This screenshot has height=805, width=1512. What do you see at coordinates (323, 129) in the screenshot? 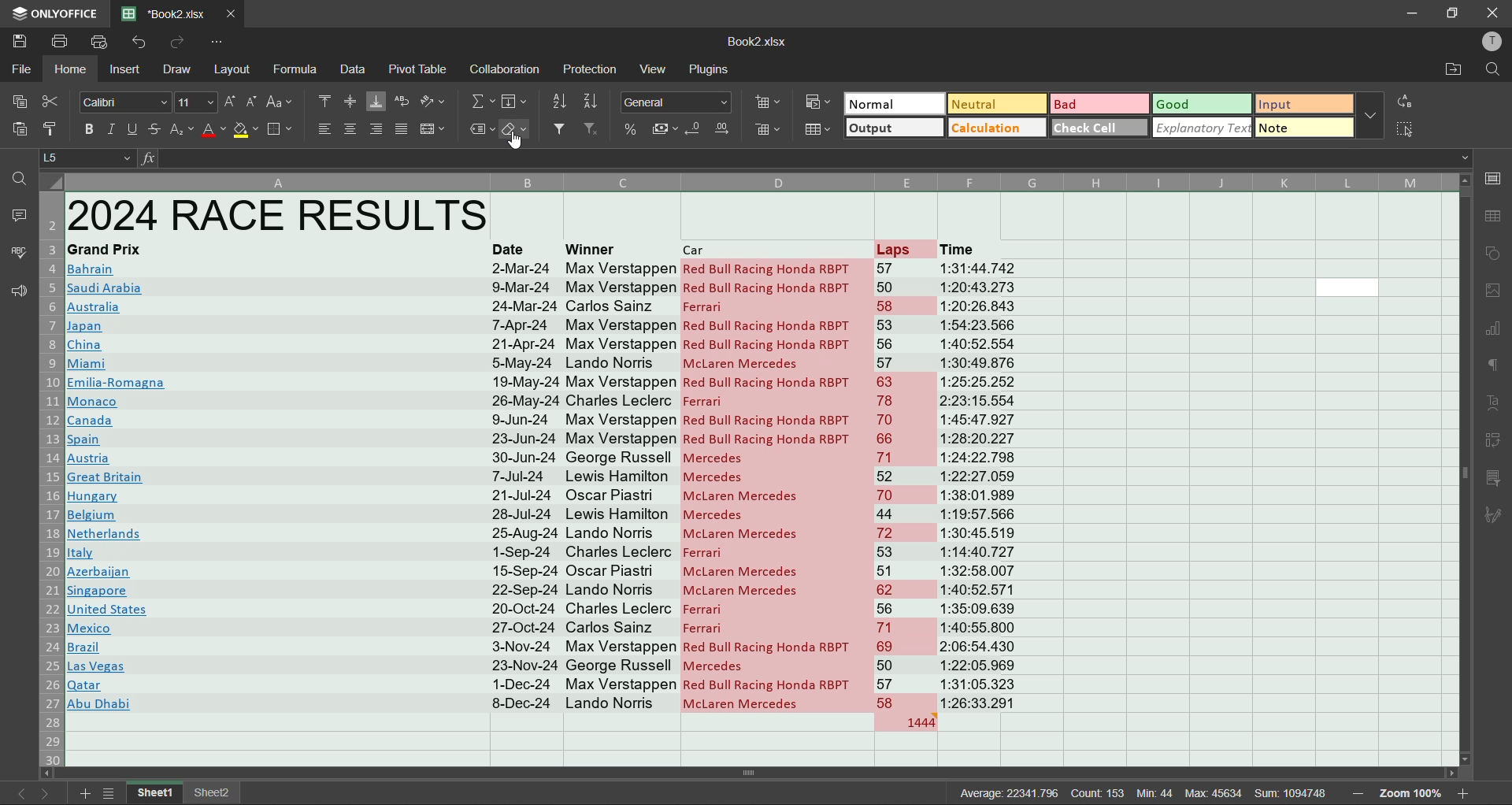
I see `align left` at bounding box center [323, 129].